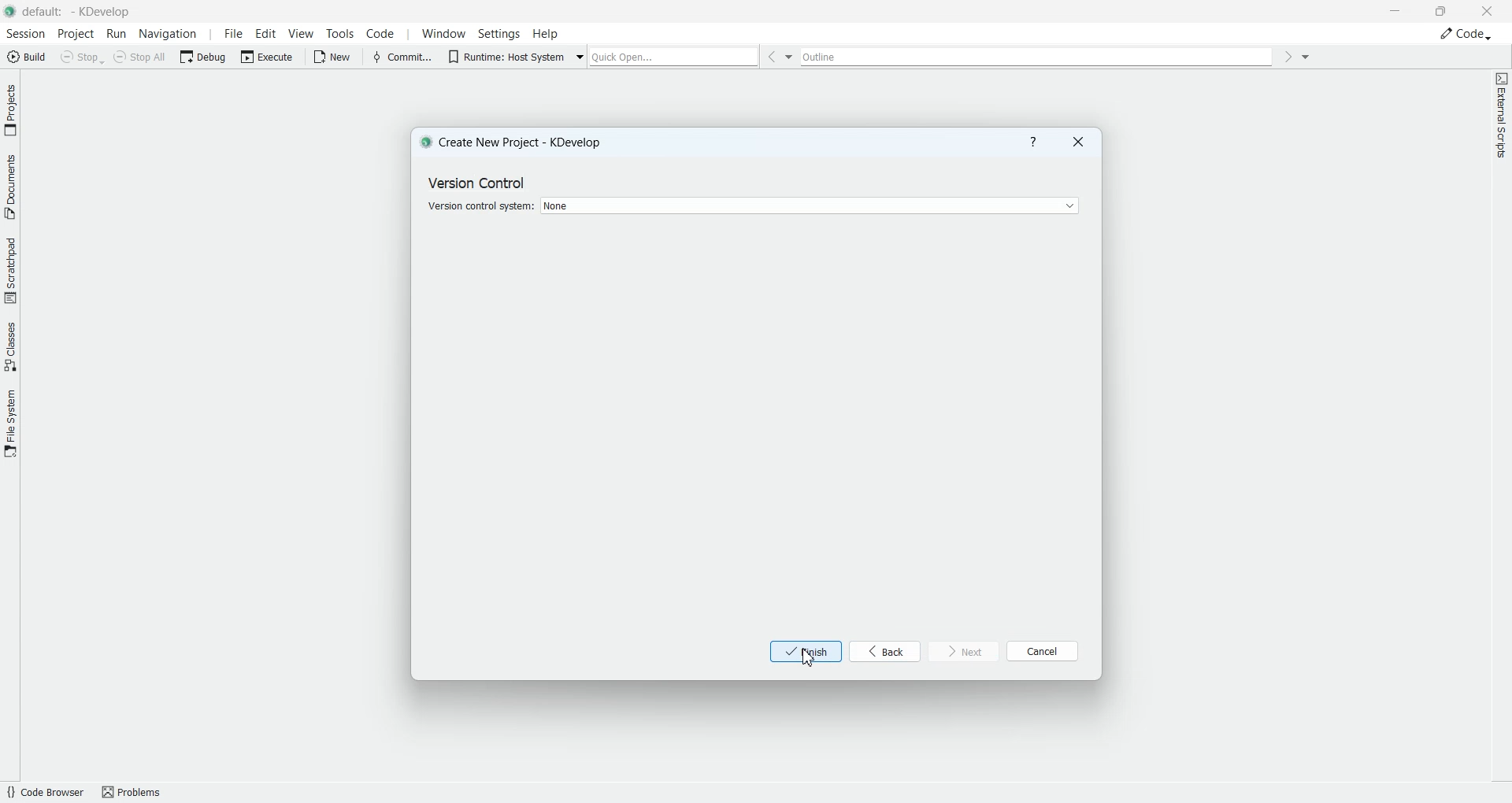  Describe the element at coordinates (1039, 57) in the screenshot. I see `Outline` at that location.